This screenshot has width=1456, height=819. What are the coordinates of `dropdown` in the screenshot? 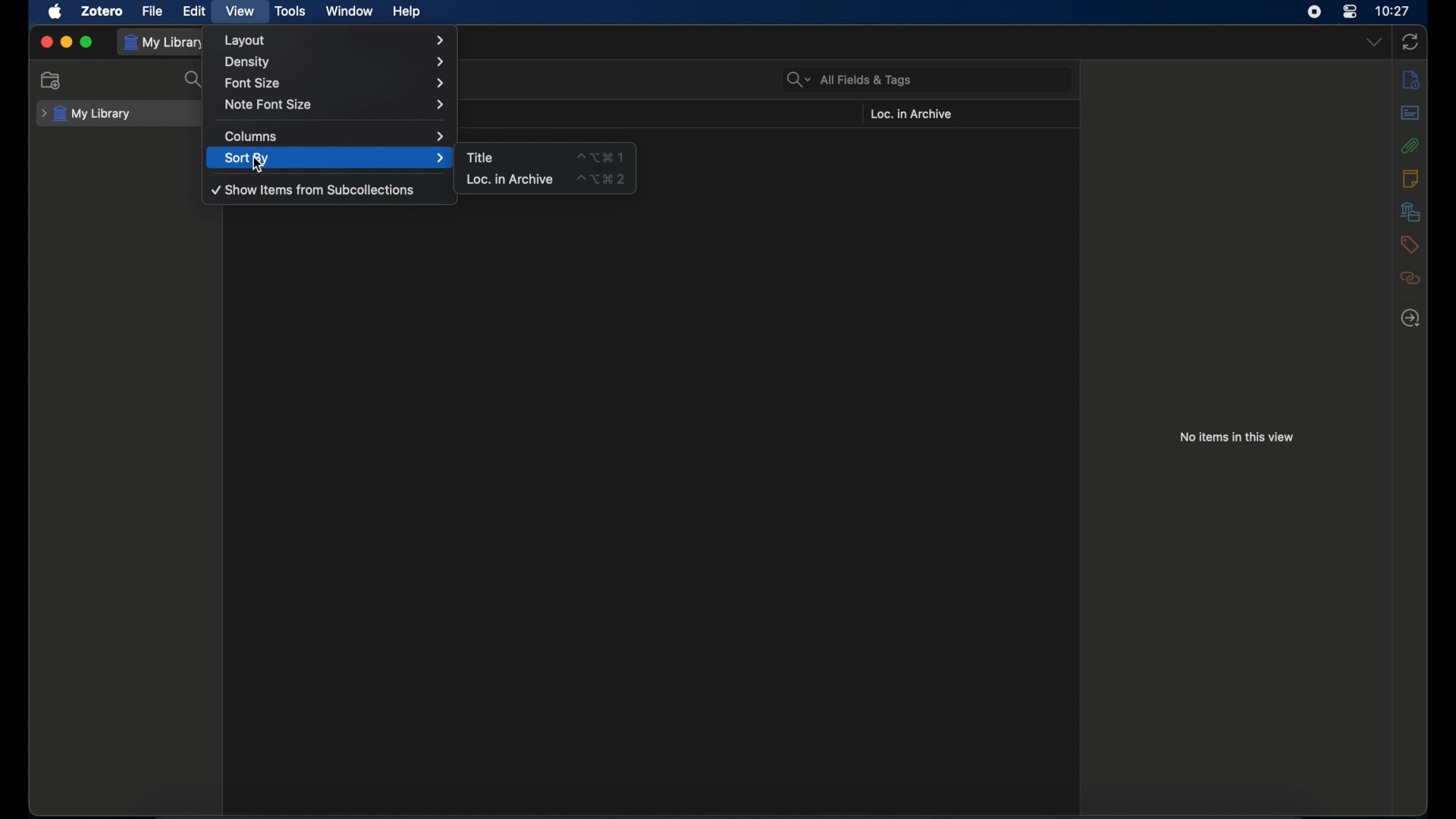 It's located at (1375, 42).